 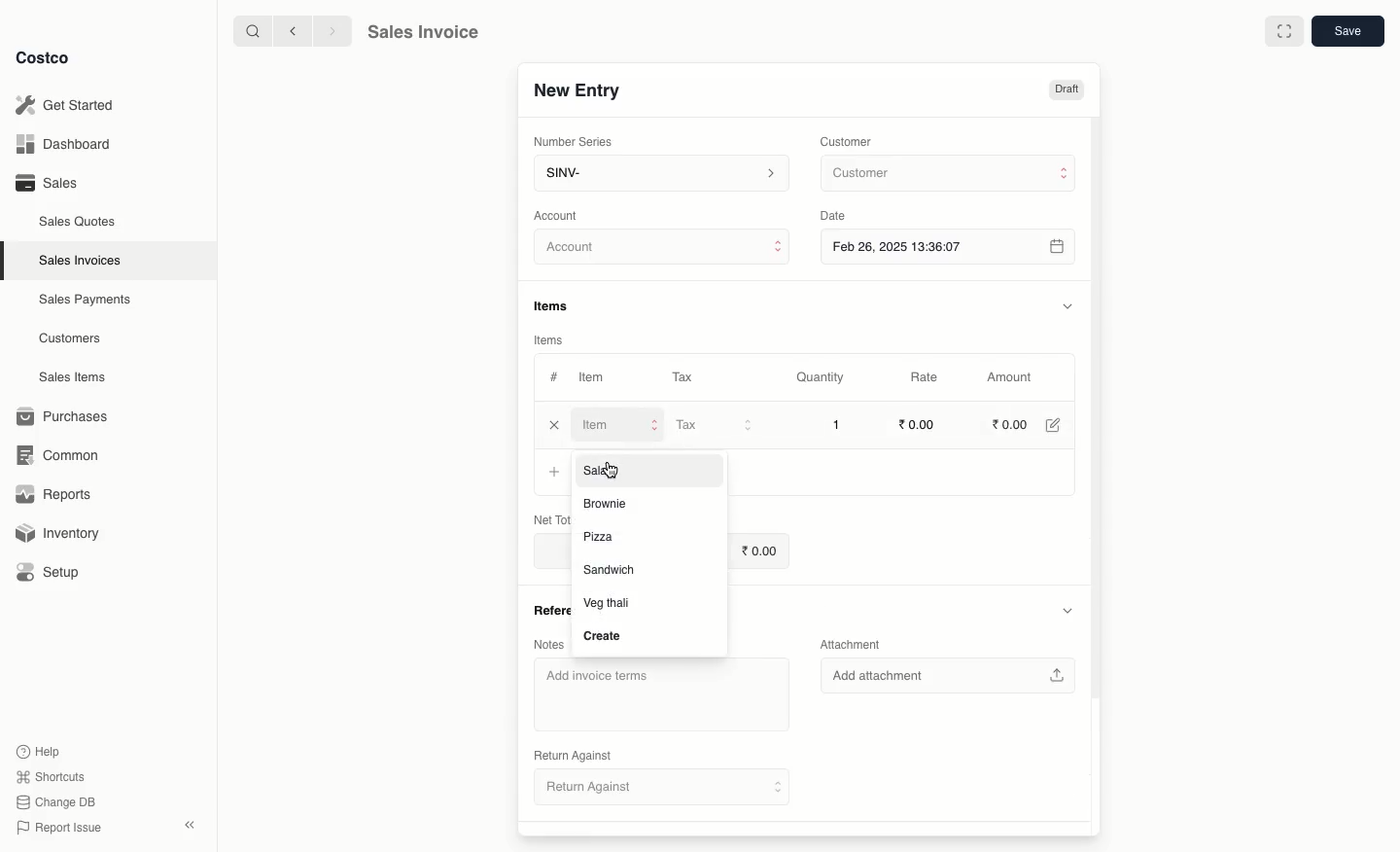 I want to click on 1, so click(x=836, y=424).